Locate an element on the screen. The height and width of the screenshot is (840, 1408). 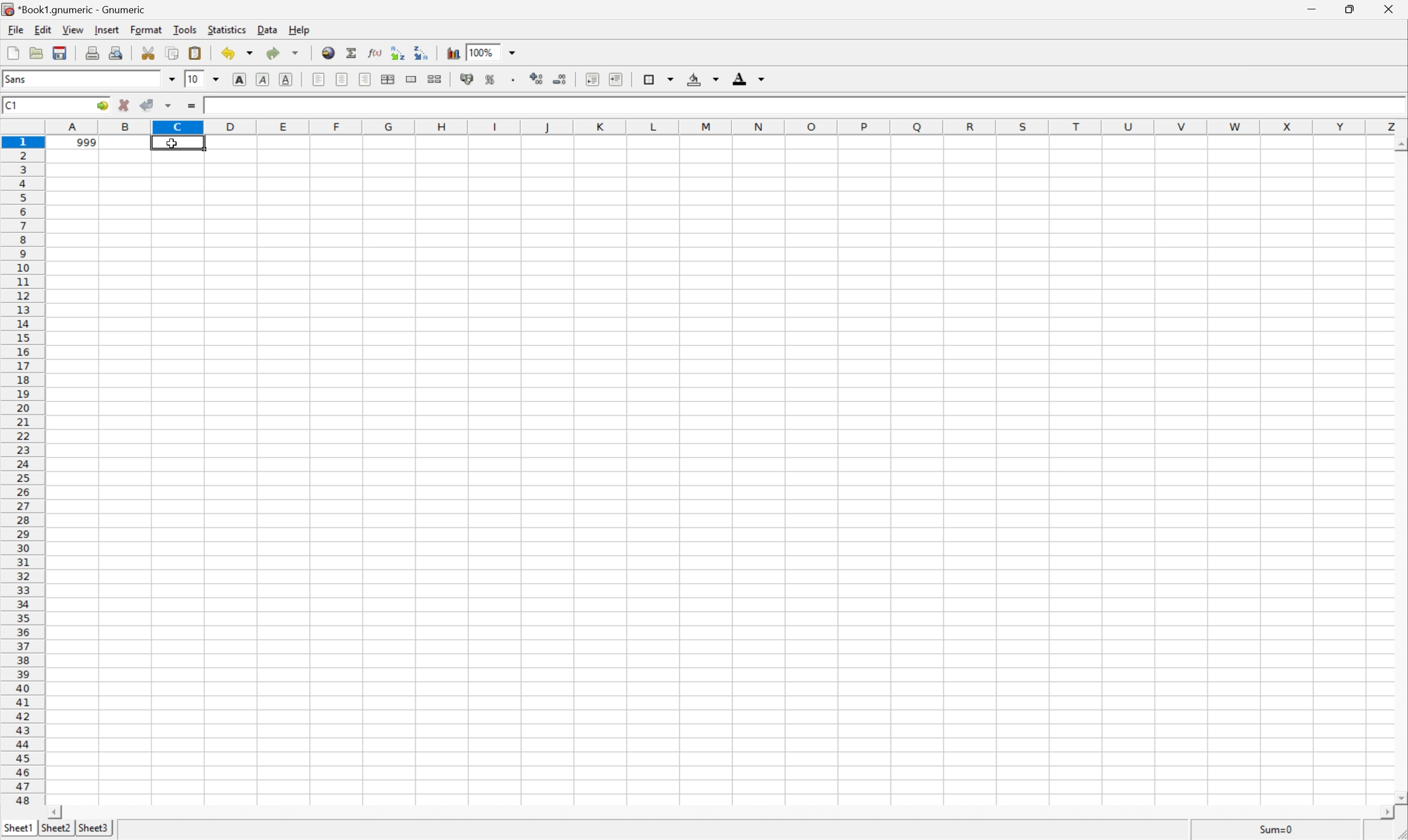
Formula bar is located at coordinates (798, 106).